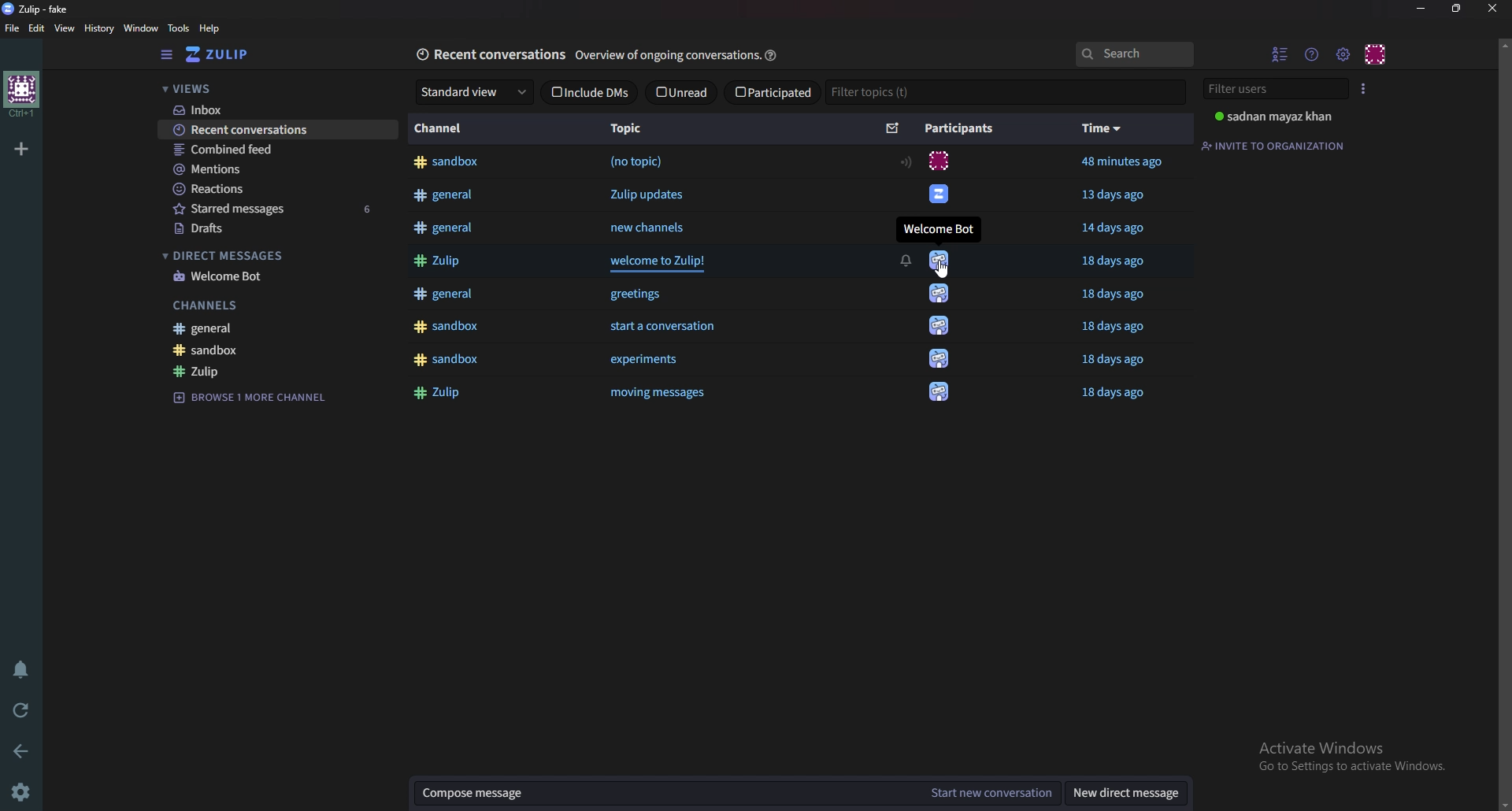 The height and width of the screenshot is (811, 1512). What do you see at coordinates (283, 328) in the screenshot?
I see `General` at bounding box center [283, 328].